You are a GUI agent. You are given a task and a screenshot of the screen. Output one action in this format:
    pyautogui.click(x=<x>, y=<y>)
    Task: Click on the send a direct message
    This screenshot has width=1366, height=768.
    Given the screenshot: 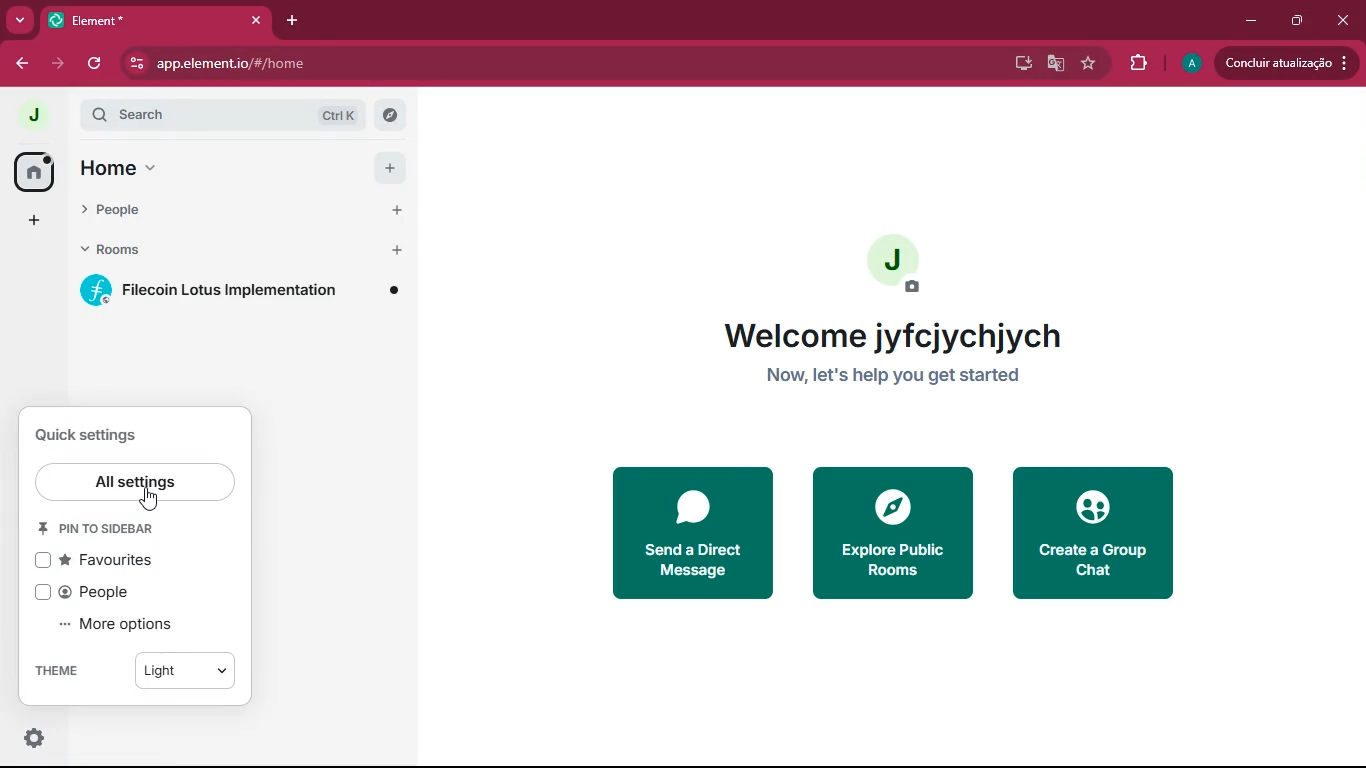 What is the action you would take?
    pyautogui.click(x=697, y=533)
    